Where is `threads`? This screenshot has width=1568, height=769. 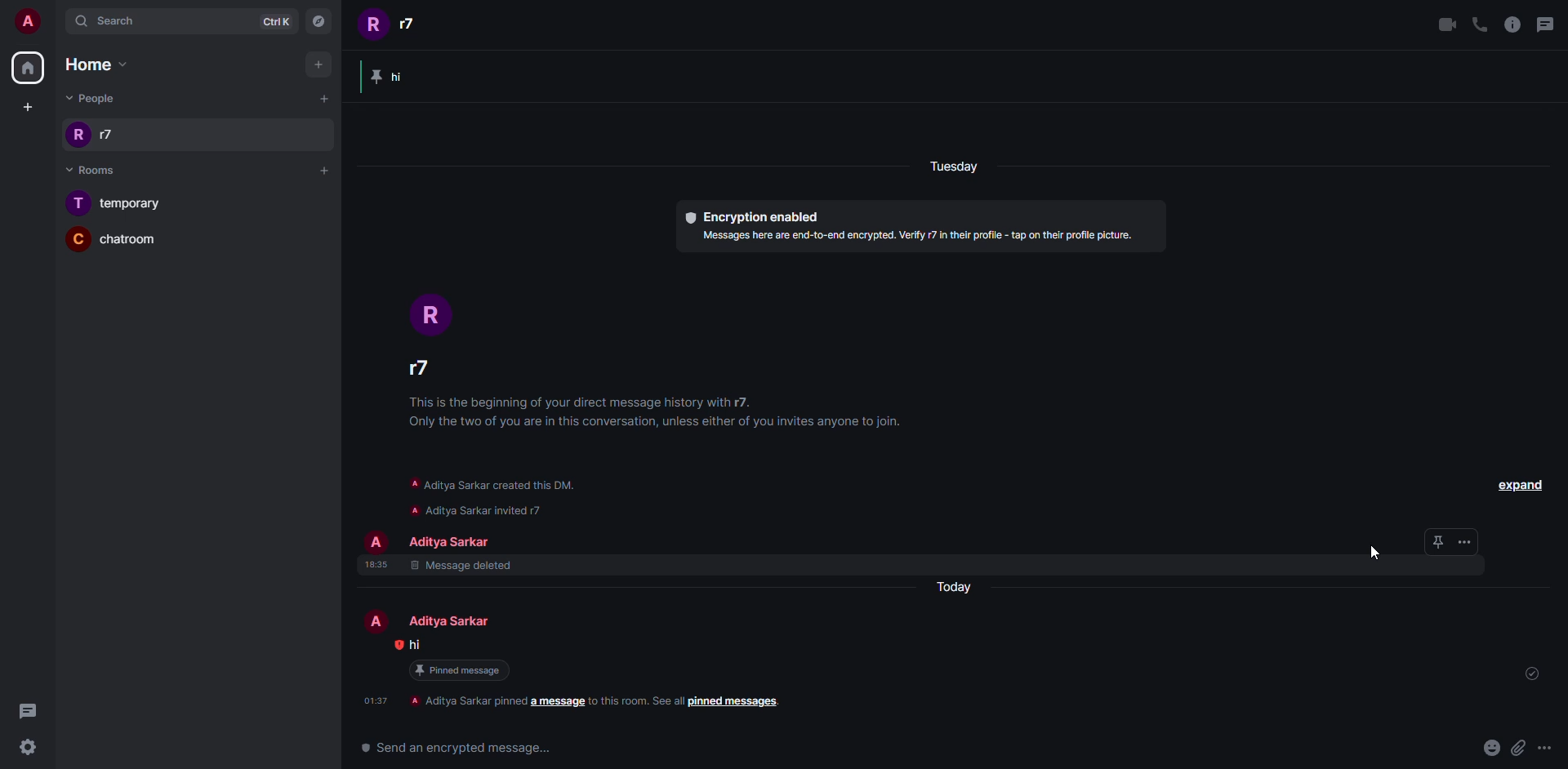
threads is located at coordinates (29, 710).